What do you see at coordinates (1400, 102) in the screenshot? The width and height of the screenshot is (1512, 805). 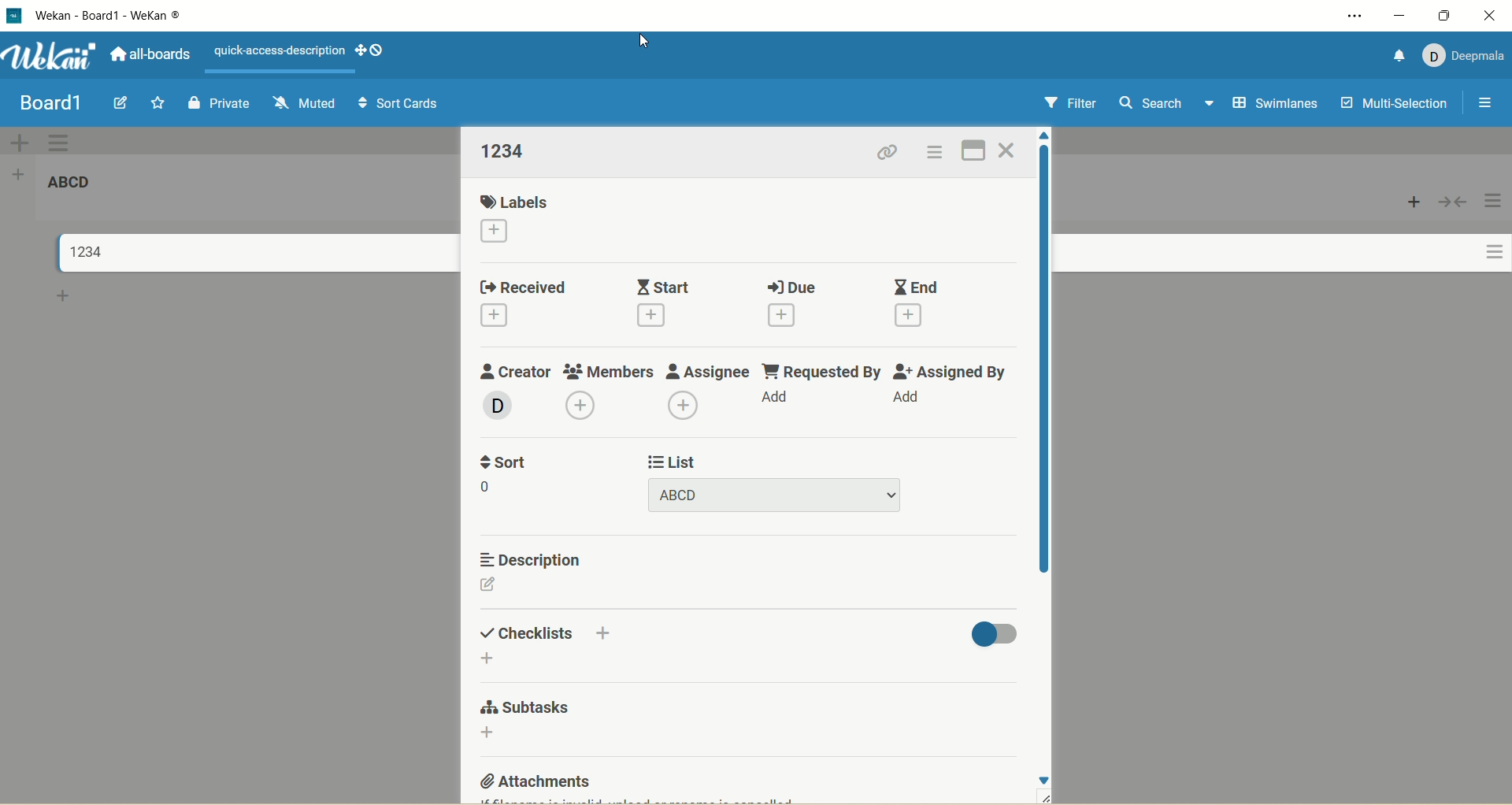 I see `multi-selection` at bounding box center [1400, 102].